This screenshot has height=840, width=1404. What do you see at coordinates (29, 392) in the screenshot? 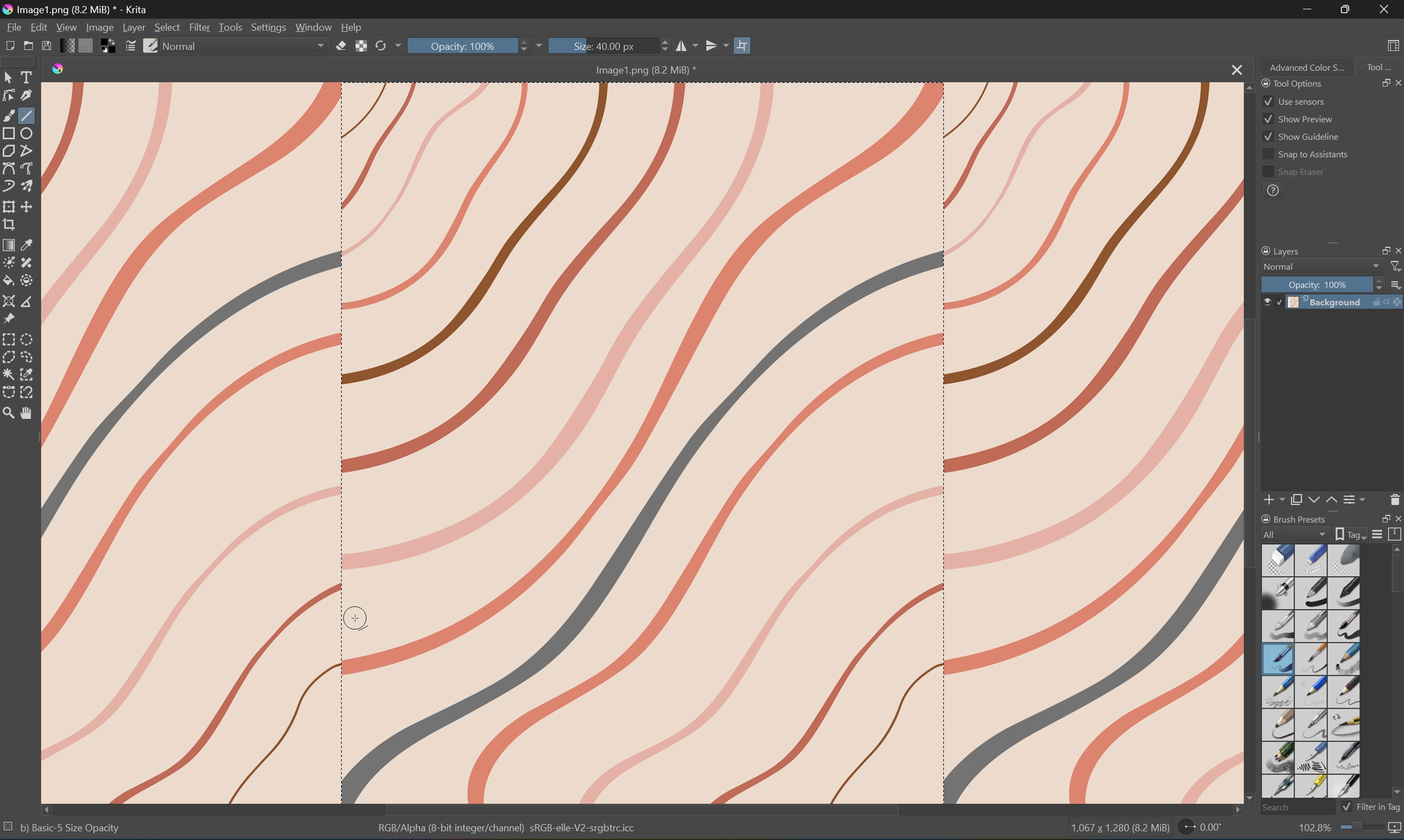
I see `Magnetic curve selection tool` at bounding box center [29, 392].